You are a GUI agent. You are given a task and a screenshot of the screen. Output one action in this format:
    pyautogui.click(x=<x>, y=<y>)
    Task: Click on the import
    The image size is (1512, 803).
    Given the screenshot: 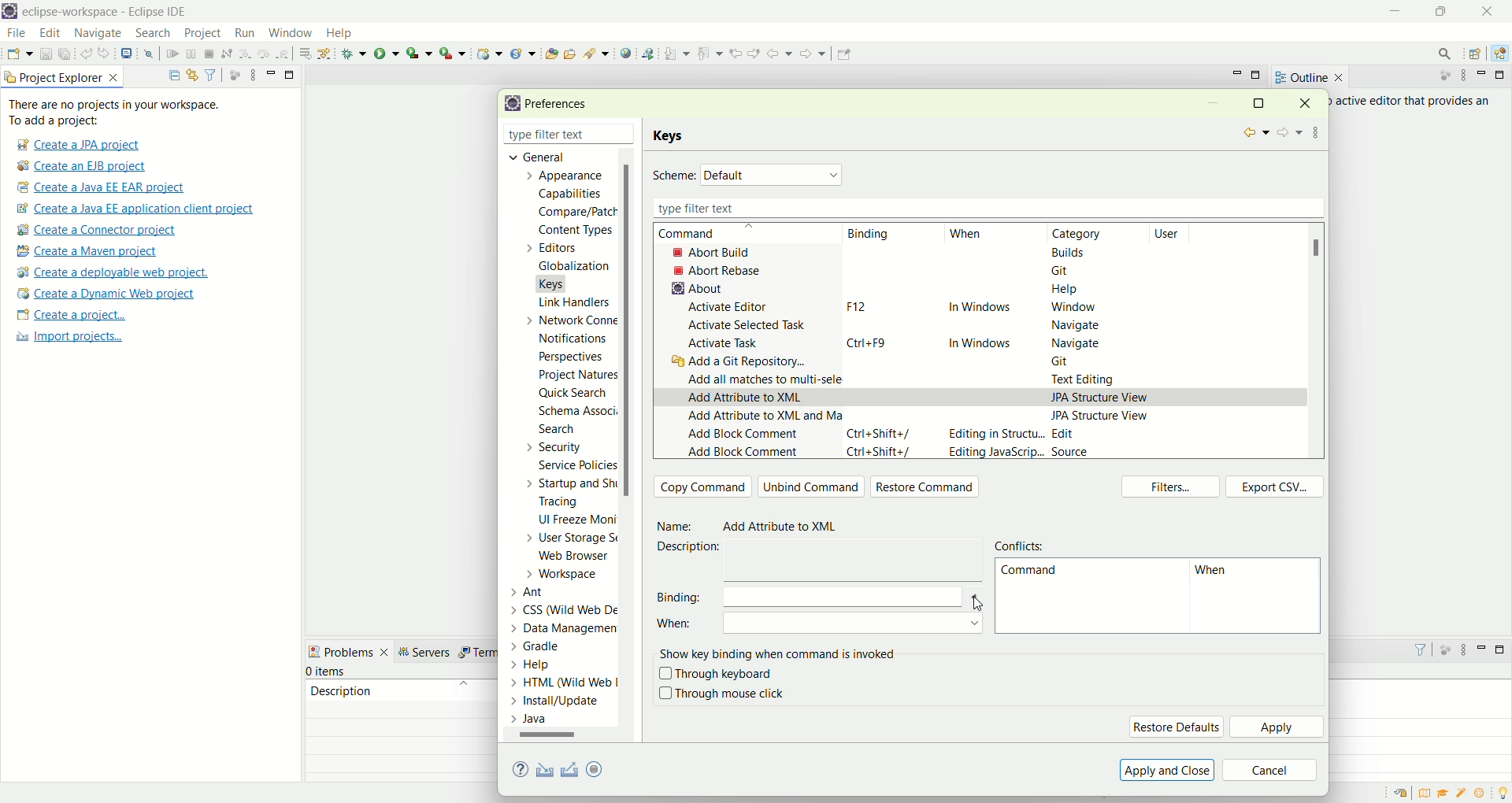 What is the action you would take?
    pyautogui.click(x=542, y=771)
    